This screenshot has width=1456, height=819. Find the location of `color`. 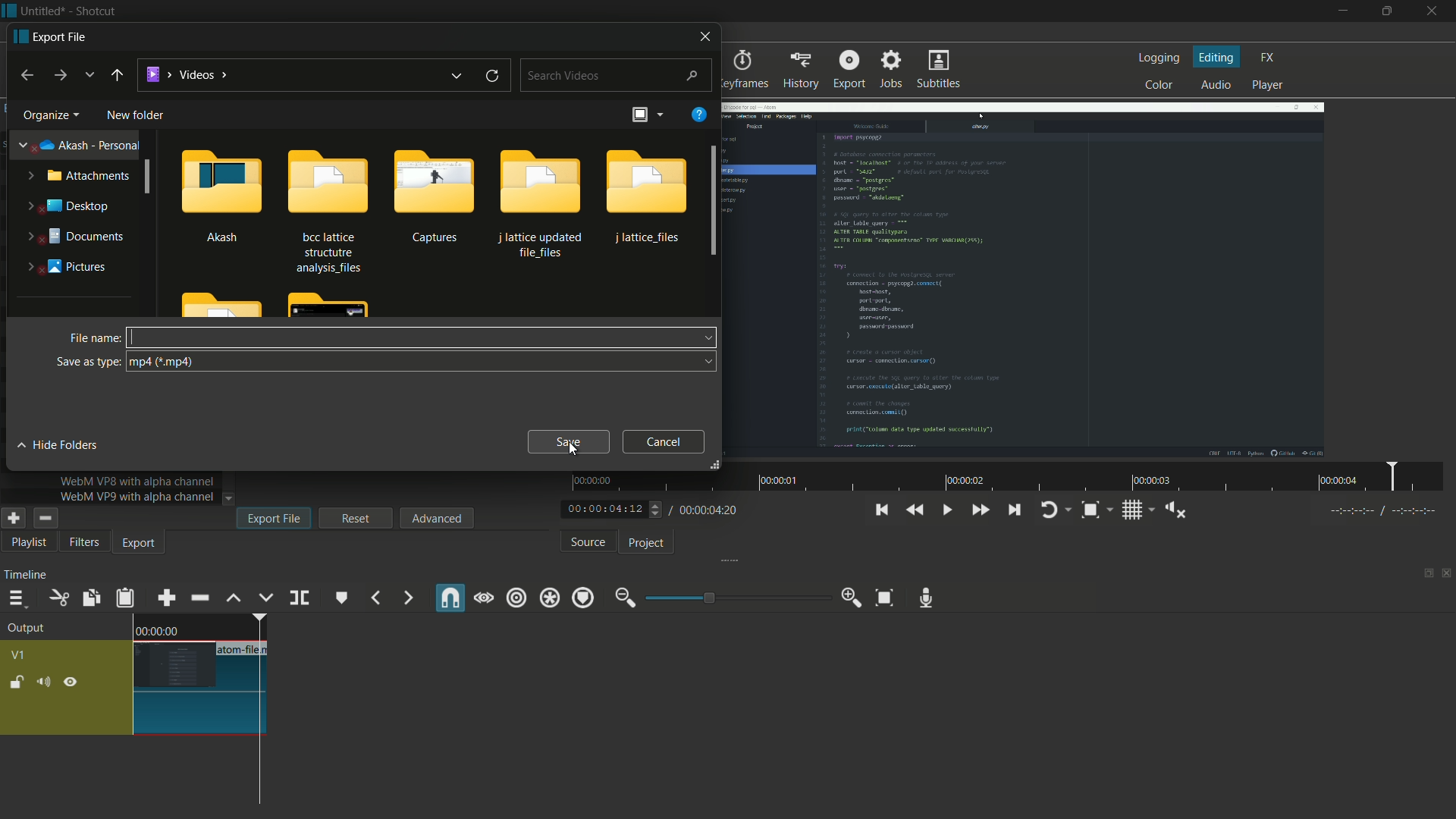

color is located at coordinates (1157, 86).